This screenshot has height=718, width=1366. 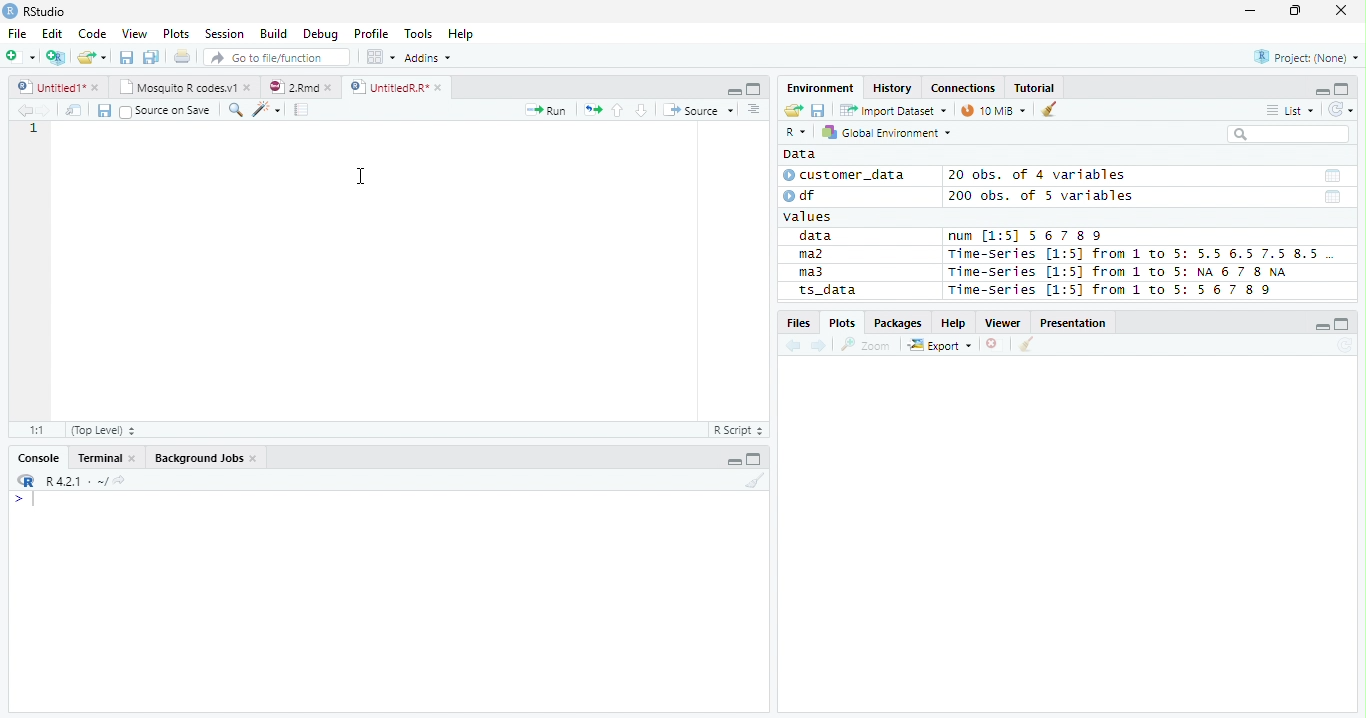 I want to click on Down, so click(x=641, y=111).